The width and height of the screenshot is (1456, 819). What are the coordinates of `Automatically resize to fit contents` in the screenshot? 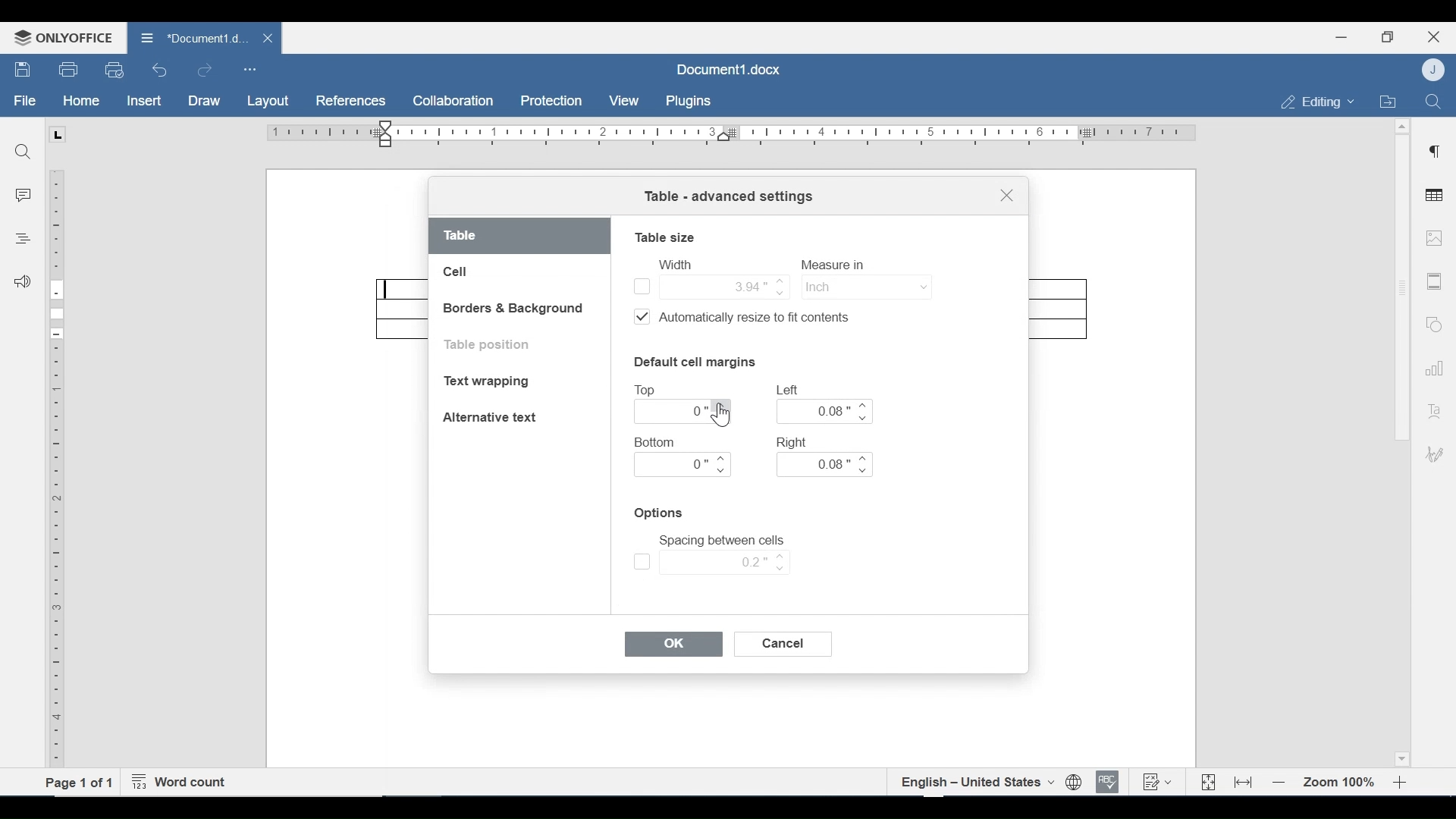 It's located at (751, 319).